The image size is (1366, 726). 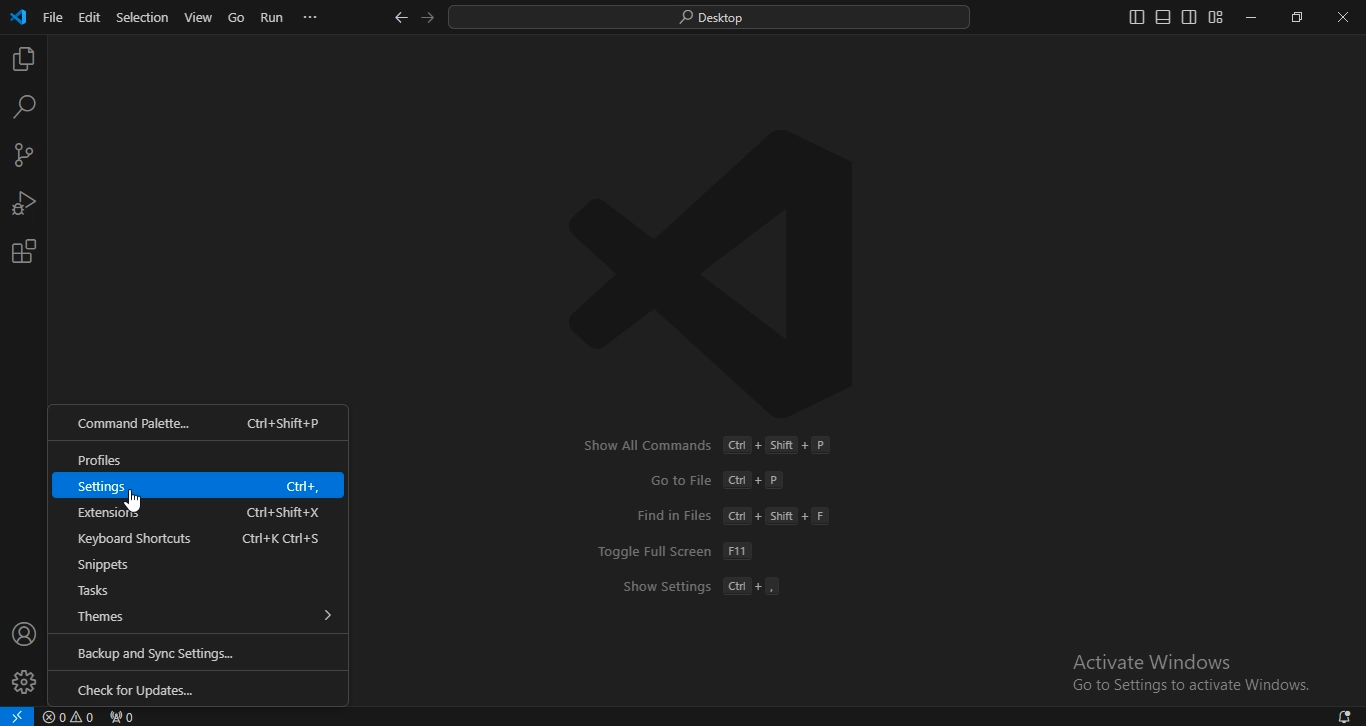 What do you see at coordinates (313, 18) in the screenshot?
I see `...` at bounding box center [313, 18].